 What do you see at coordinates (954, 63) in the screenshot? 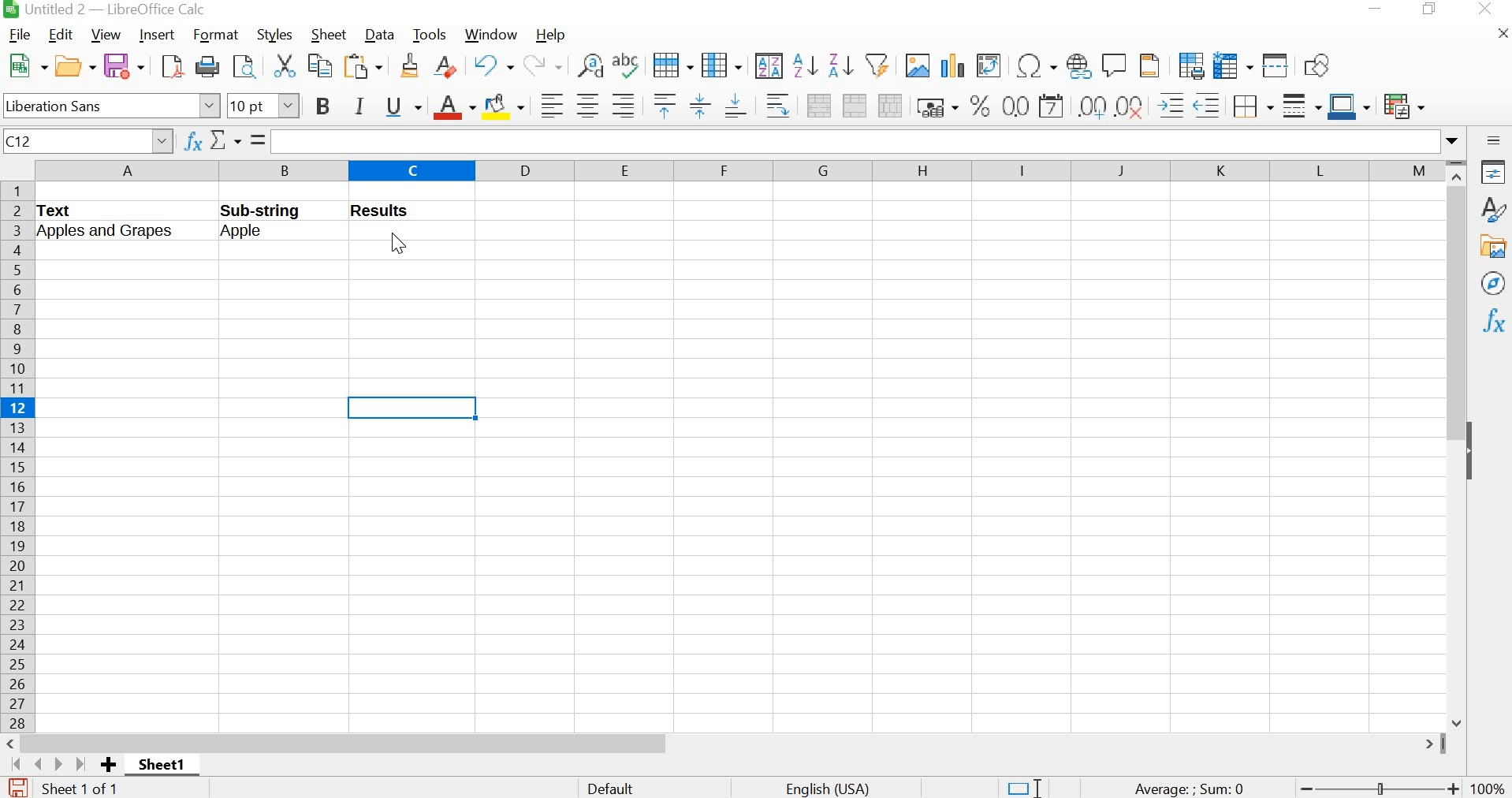
I see `insert chart` at bounding box center [954, 63].